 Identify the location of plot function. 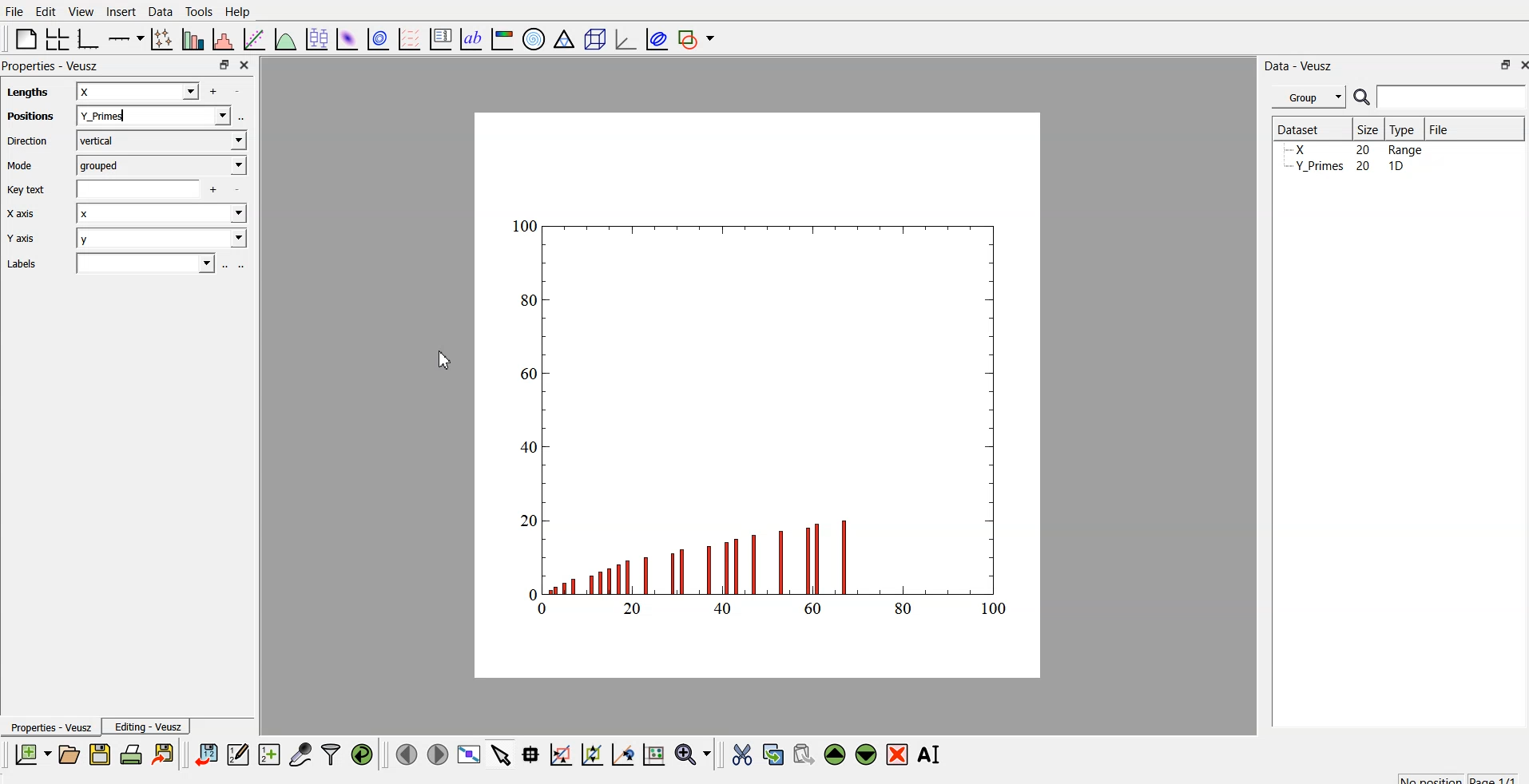
(284, 39).